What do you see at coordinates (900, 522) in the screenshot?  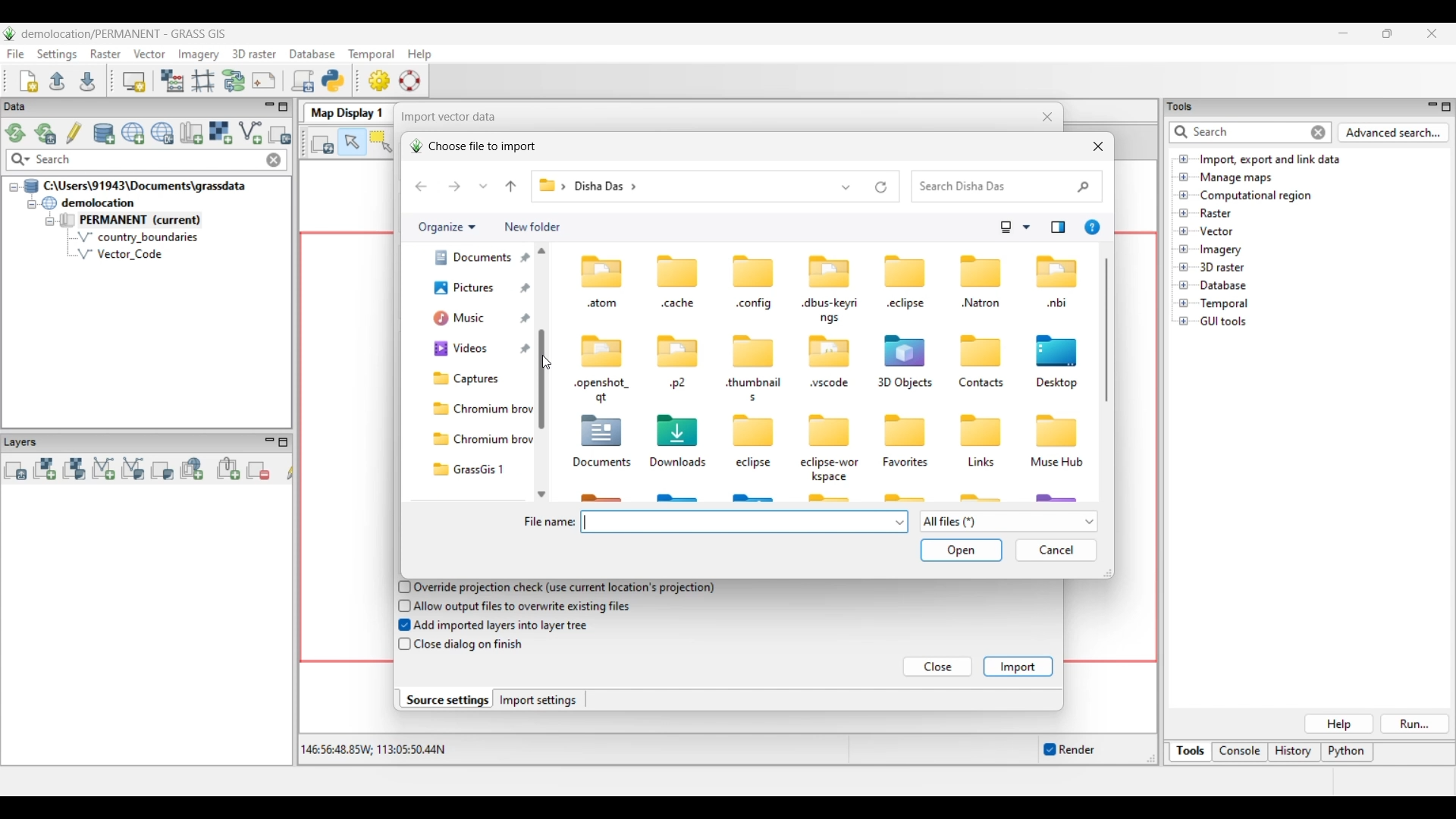 I see `File name options` at bounding box center [900, 522].